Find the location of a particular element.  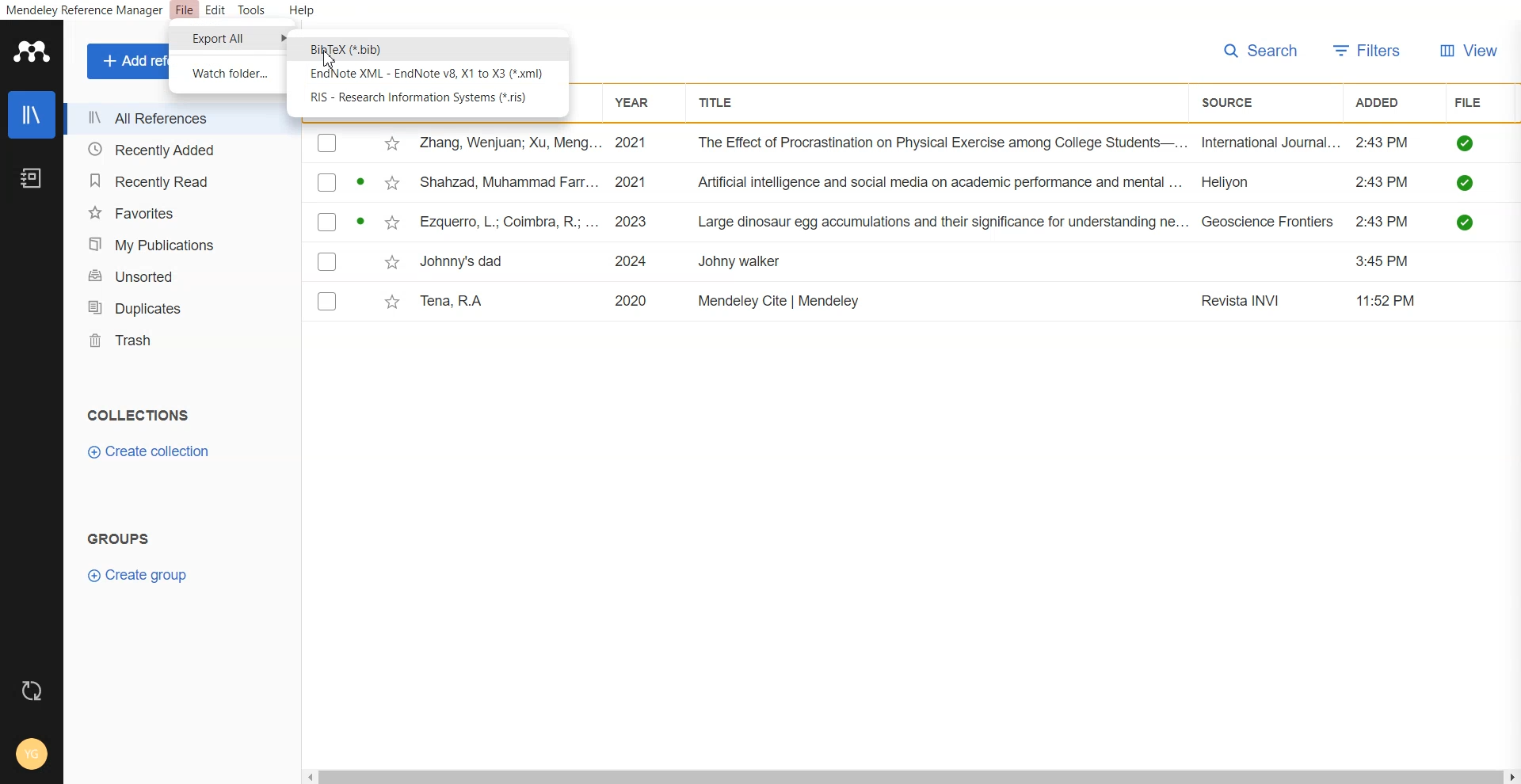

Artificial intelligence and social media on academic performance and mental ... is located at coordinates (941, 183).